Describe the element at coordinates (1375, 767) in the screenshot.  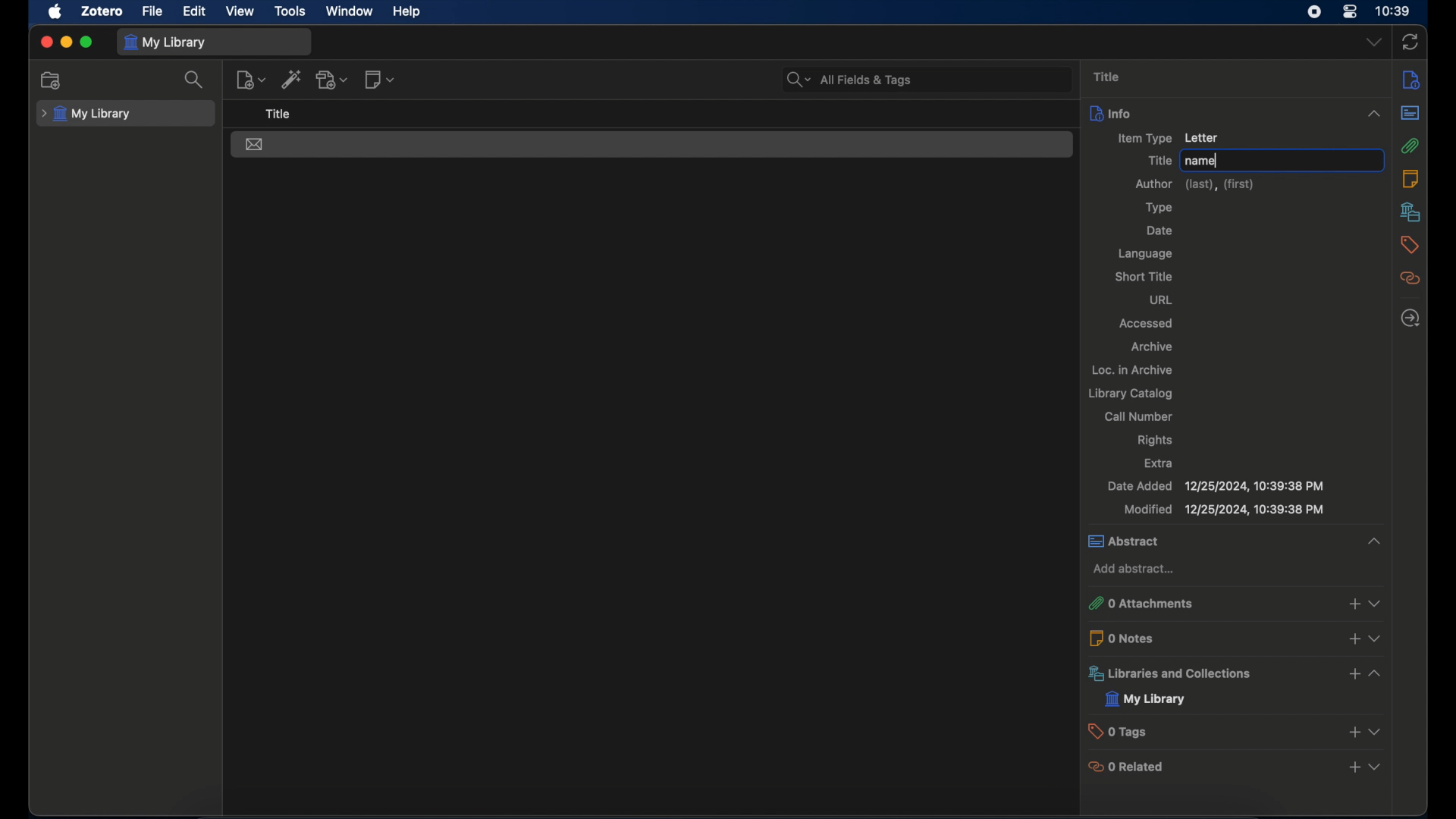
I see `view more` at that location.